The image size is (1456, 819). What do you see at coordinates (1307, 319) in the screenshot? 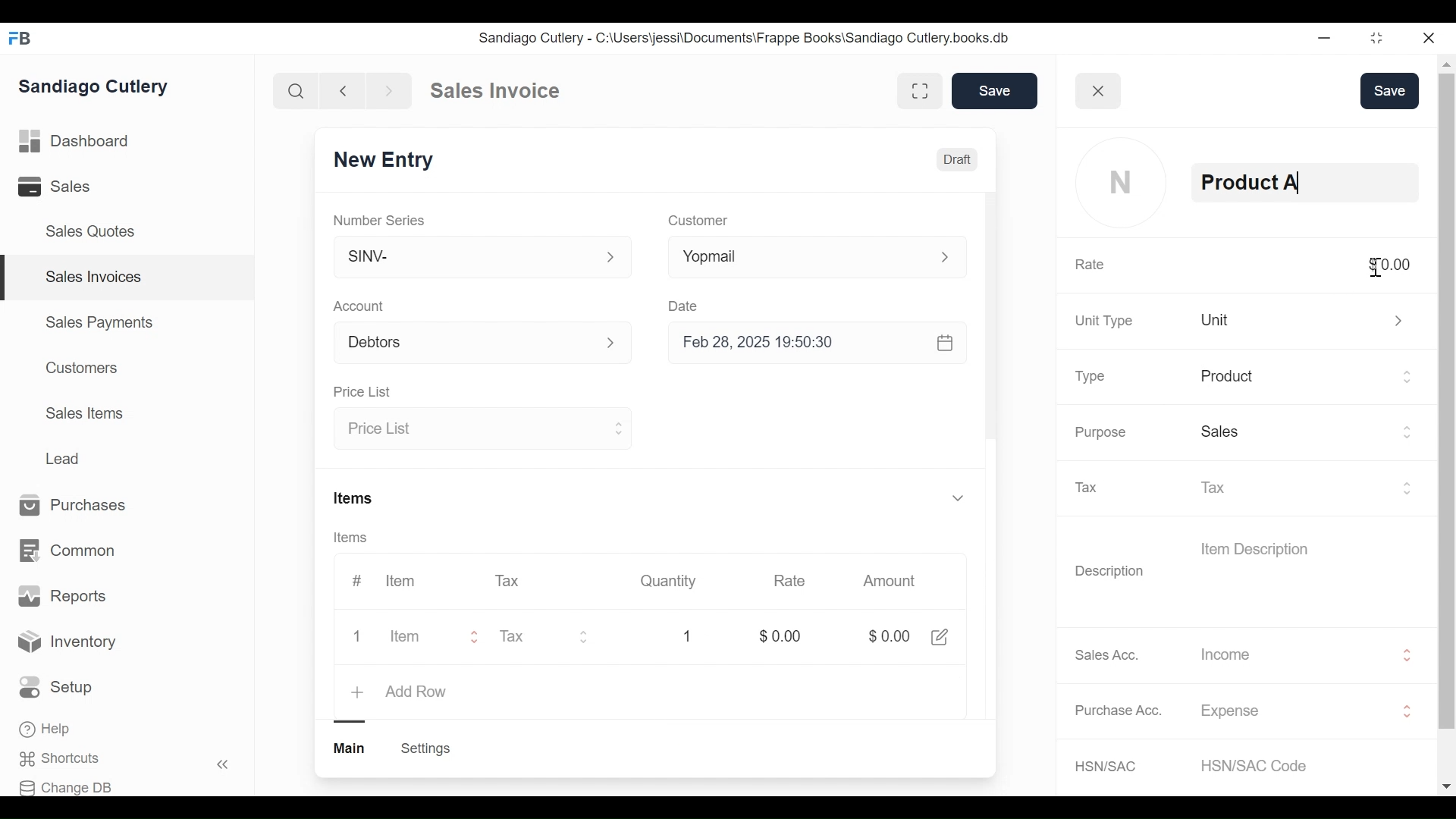
I see `unit` at bounding box center [1307, 319].